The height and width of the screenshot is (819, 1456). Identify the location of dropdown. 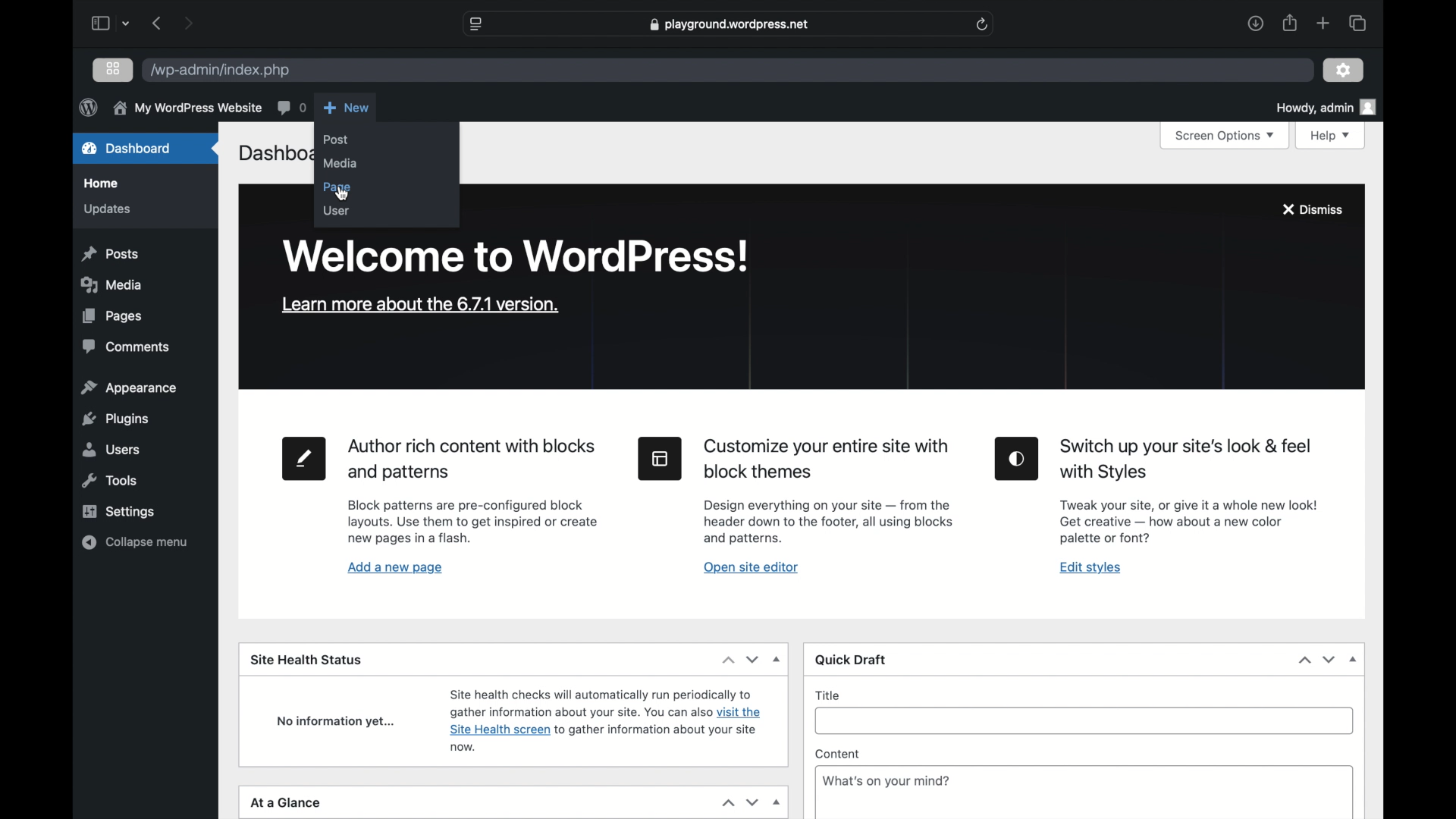
(127, 24).